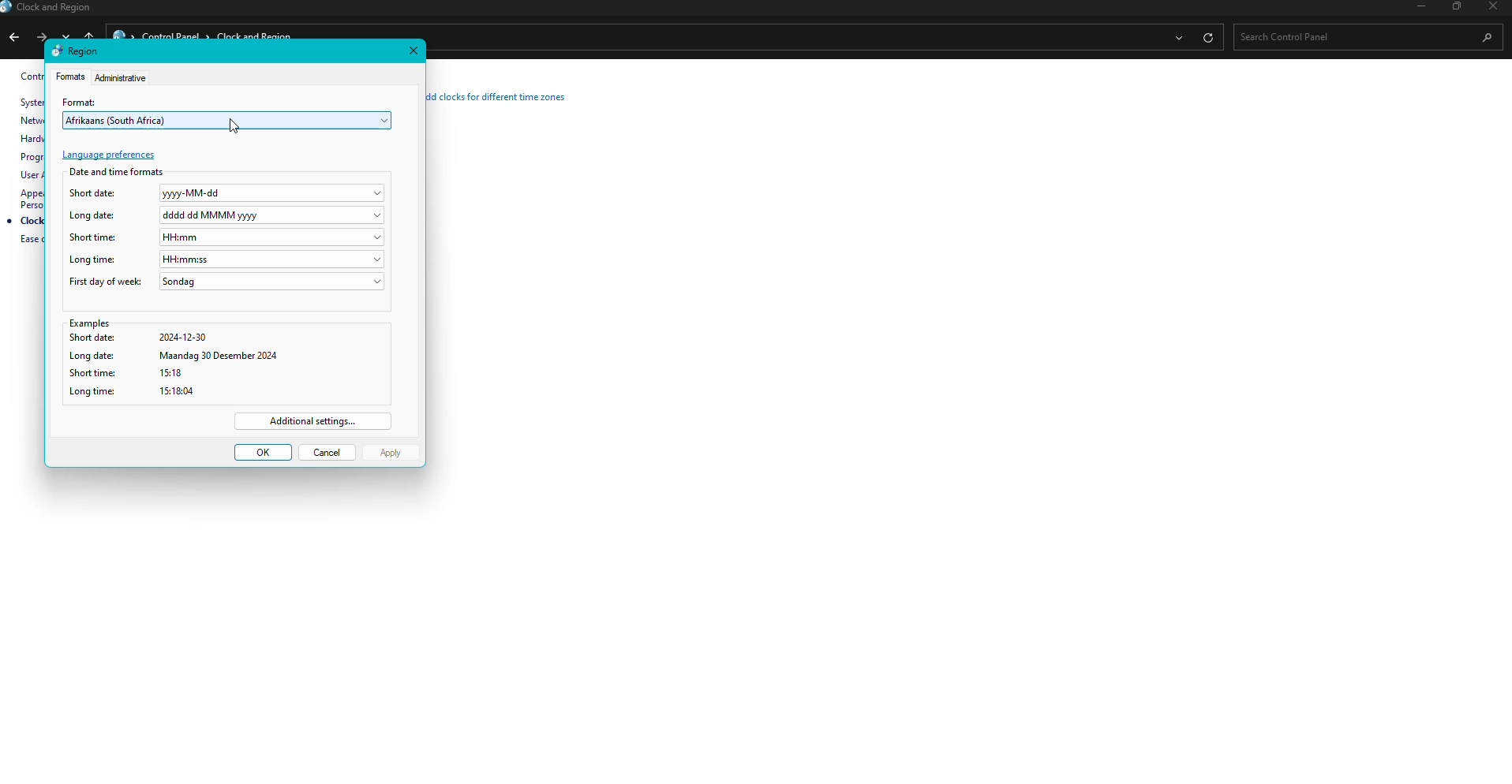 This screenshot has height=784, width=1512. I want to click on Search bar, so click(1362, 36).